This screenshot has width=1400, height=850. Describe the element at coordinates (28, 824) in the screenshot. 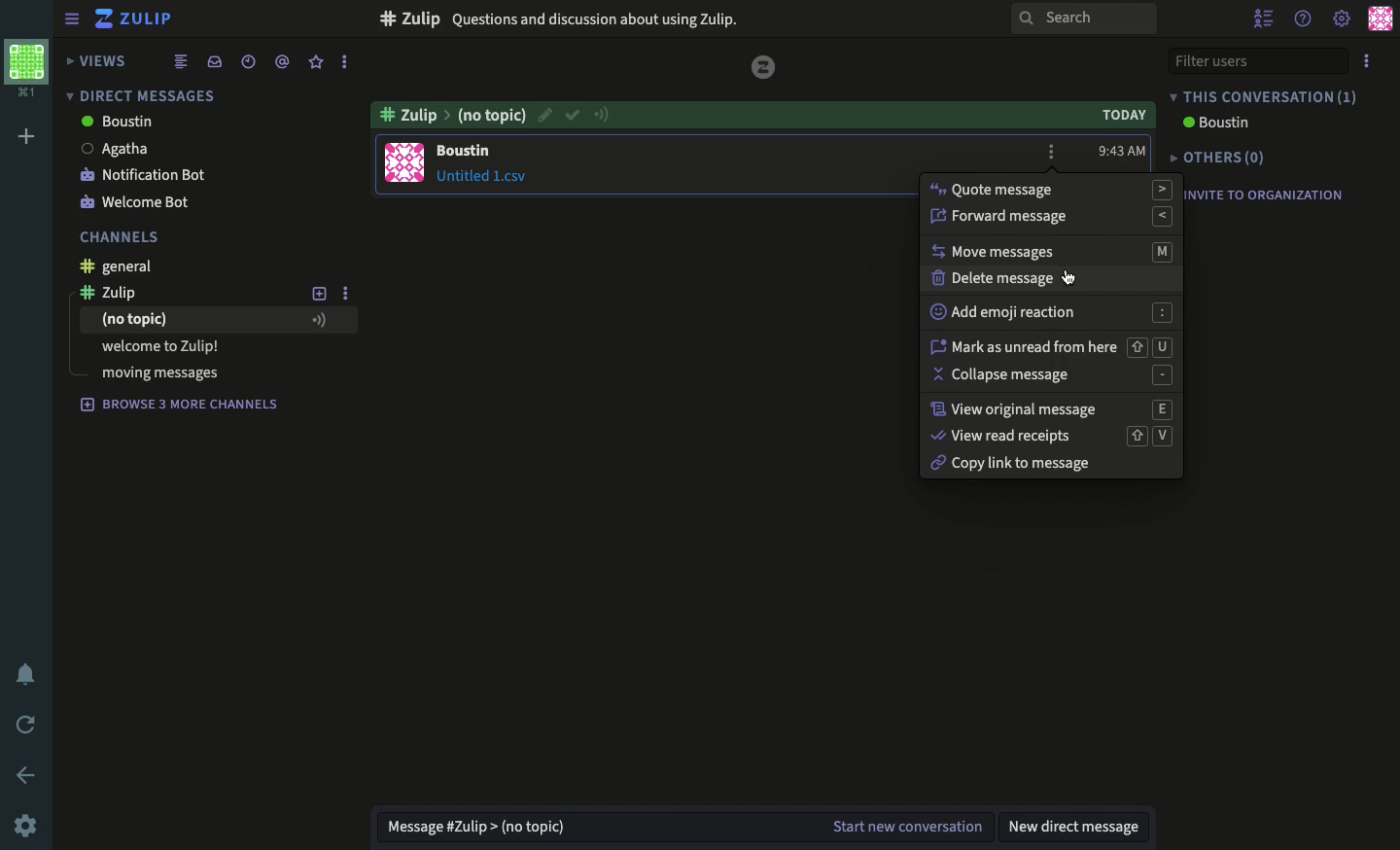

I see `settings` at that location.